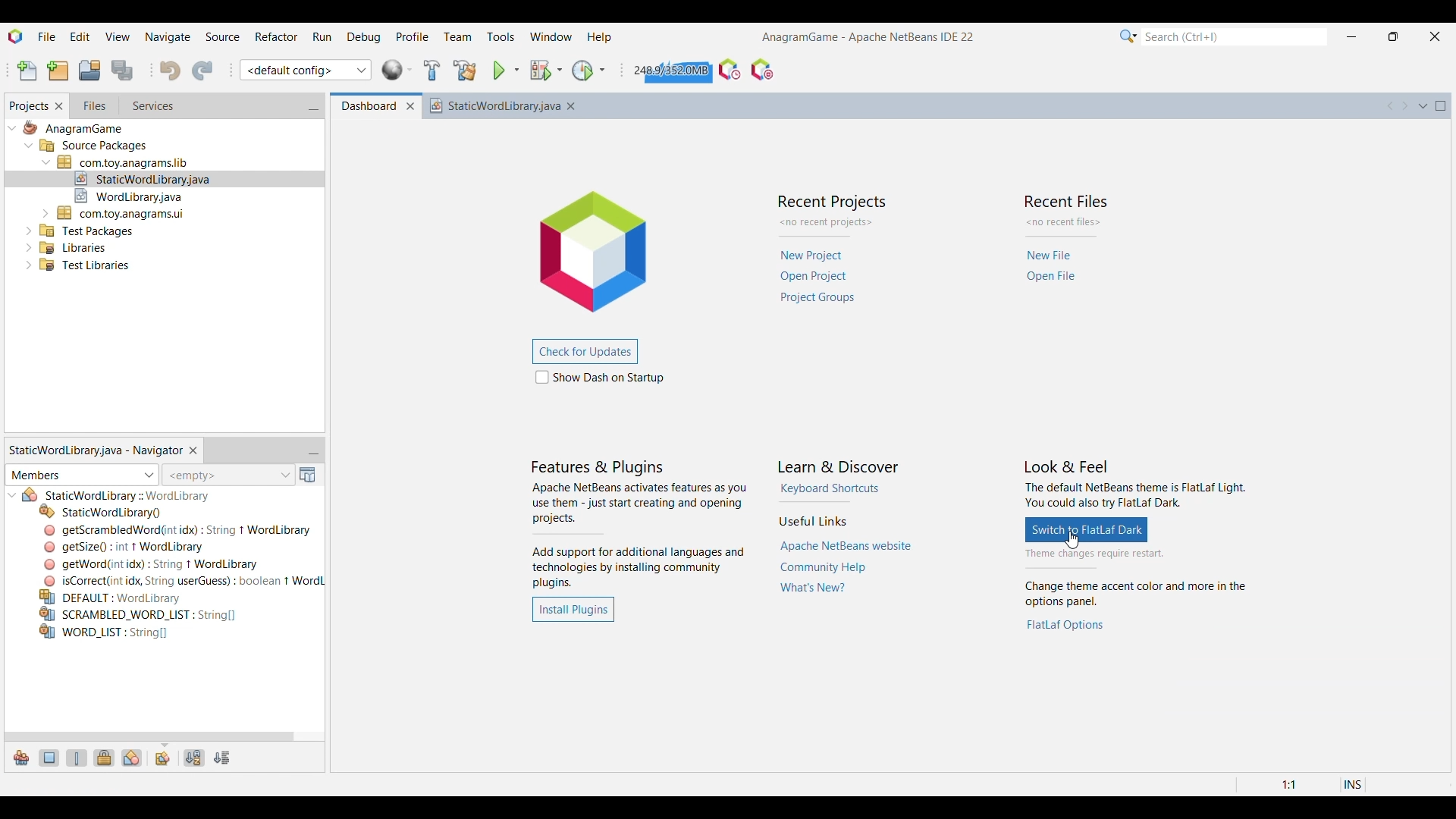 The image size is (1456, 819). Describe the element at coordinates (1303, 785) in the screenshot. I see `Double click to go to line or bookmark settings` at that location.